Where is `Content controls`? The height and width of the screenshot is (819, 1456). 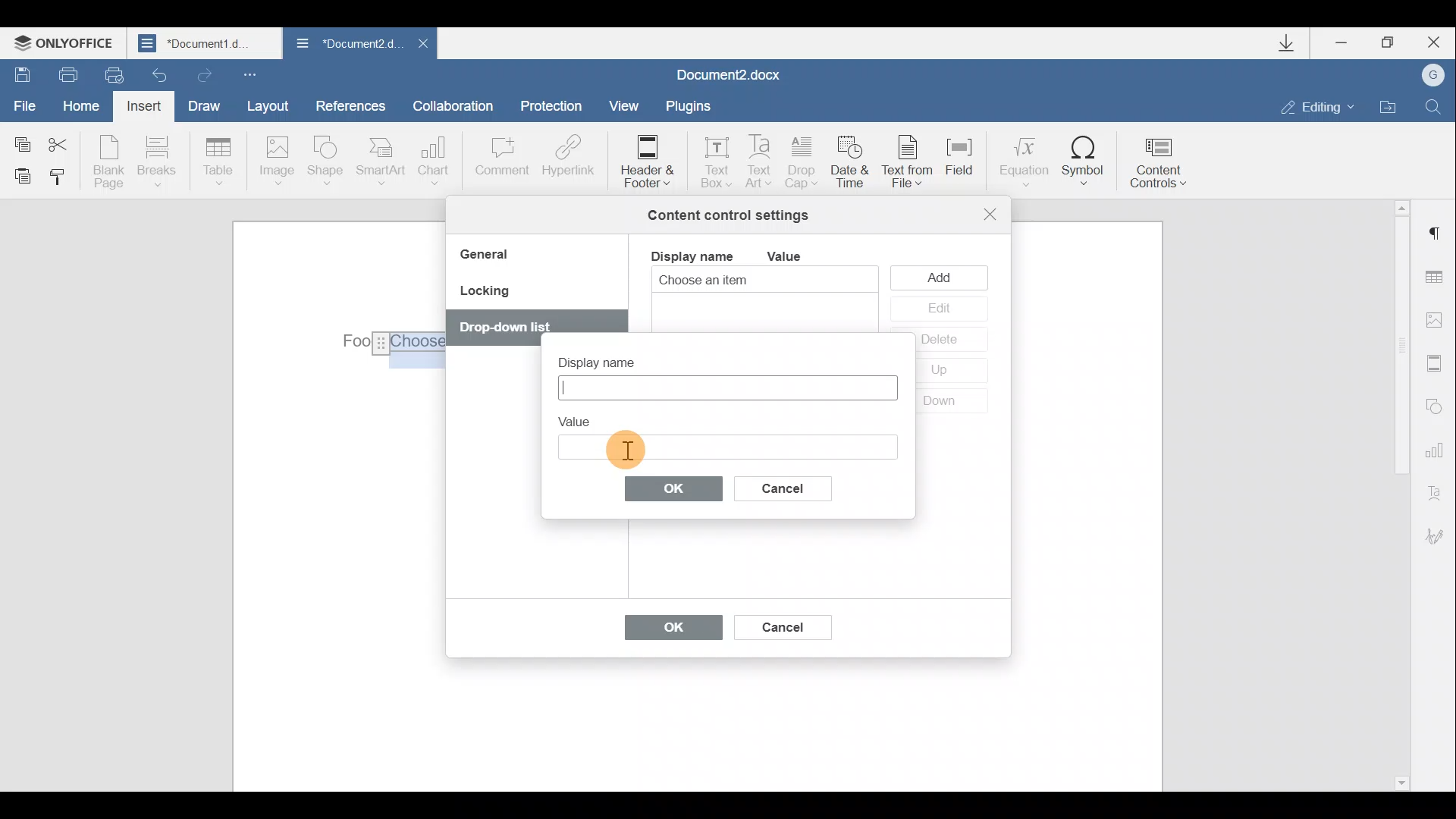 Content controls is located at coordinates (1164, 158).